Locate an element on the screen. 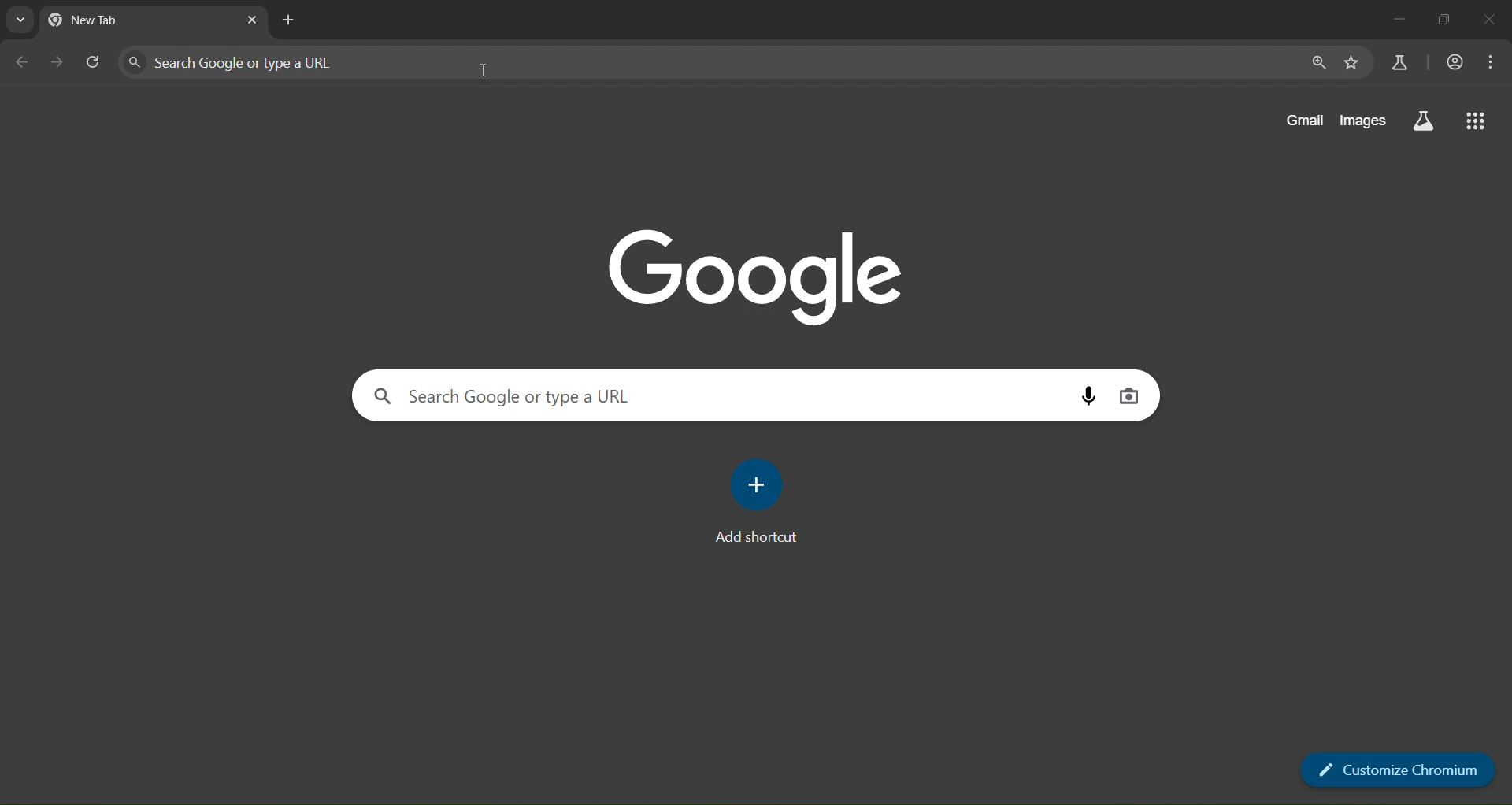  search labs is located at coordinates (1423, 121).